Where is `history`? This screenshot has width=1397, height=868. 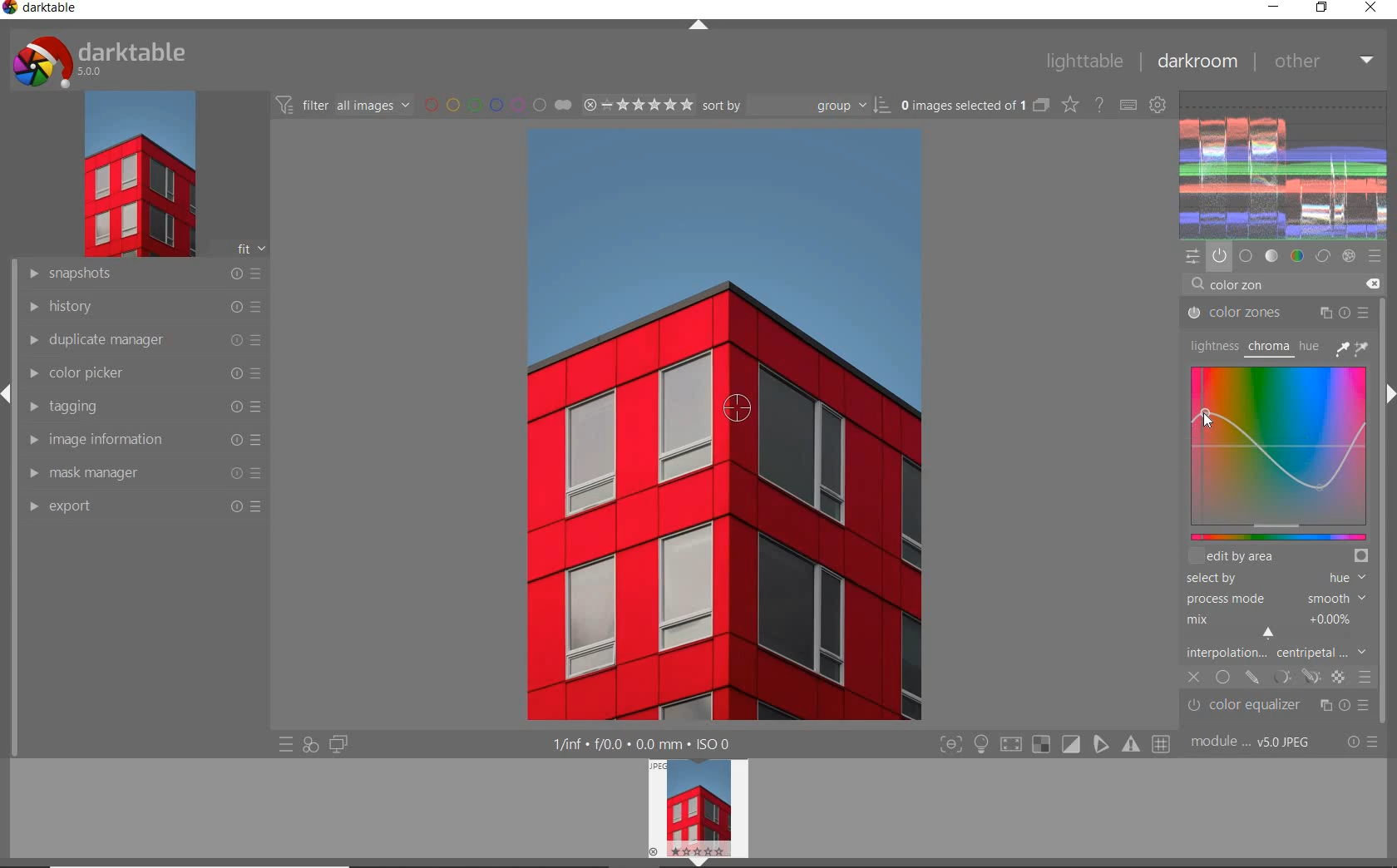 history is located at coordinates (141, 308).